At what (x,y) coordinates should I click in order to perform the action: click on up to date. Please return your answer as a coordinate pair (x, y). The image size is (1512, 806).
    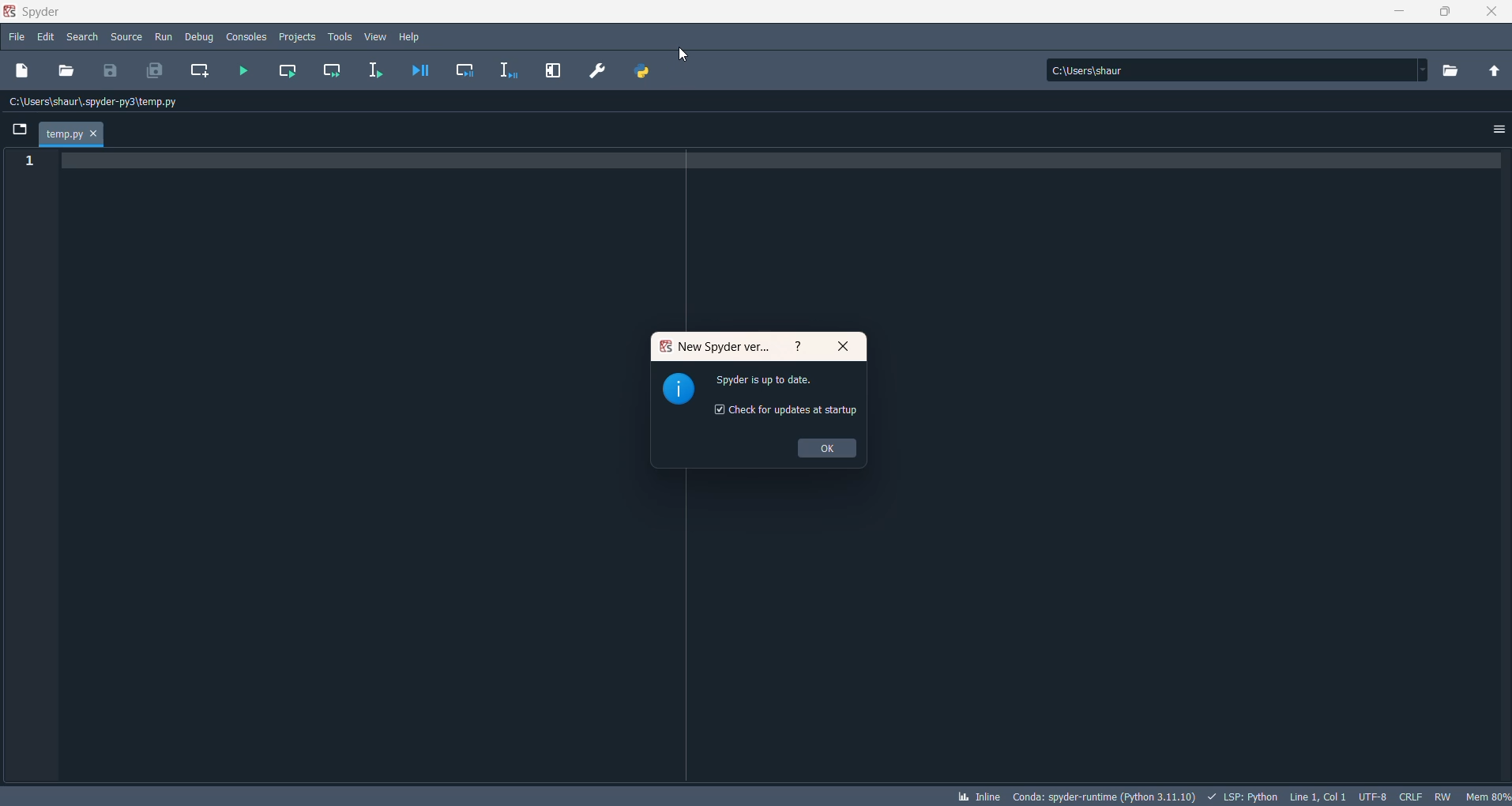
    Looking at the image, I should click on (777, 384).